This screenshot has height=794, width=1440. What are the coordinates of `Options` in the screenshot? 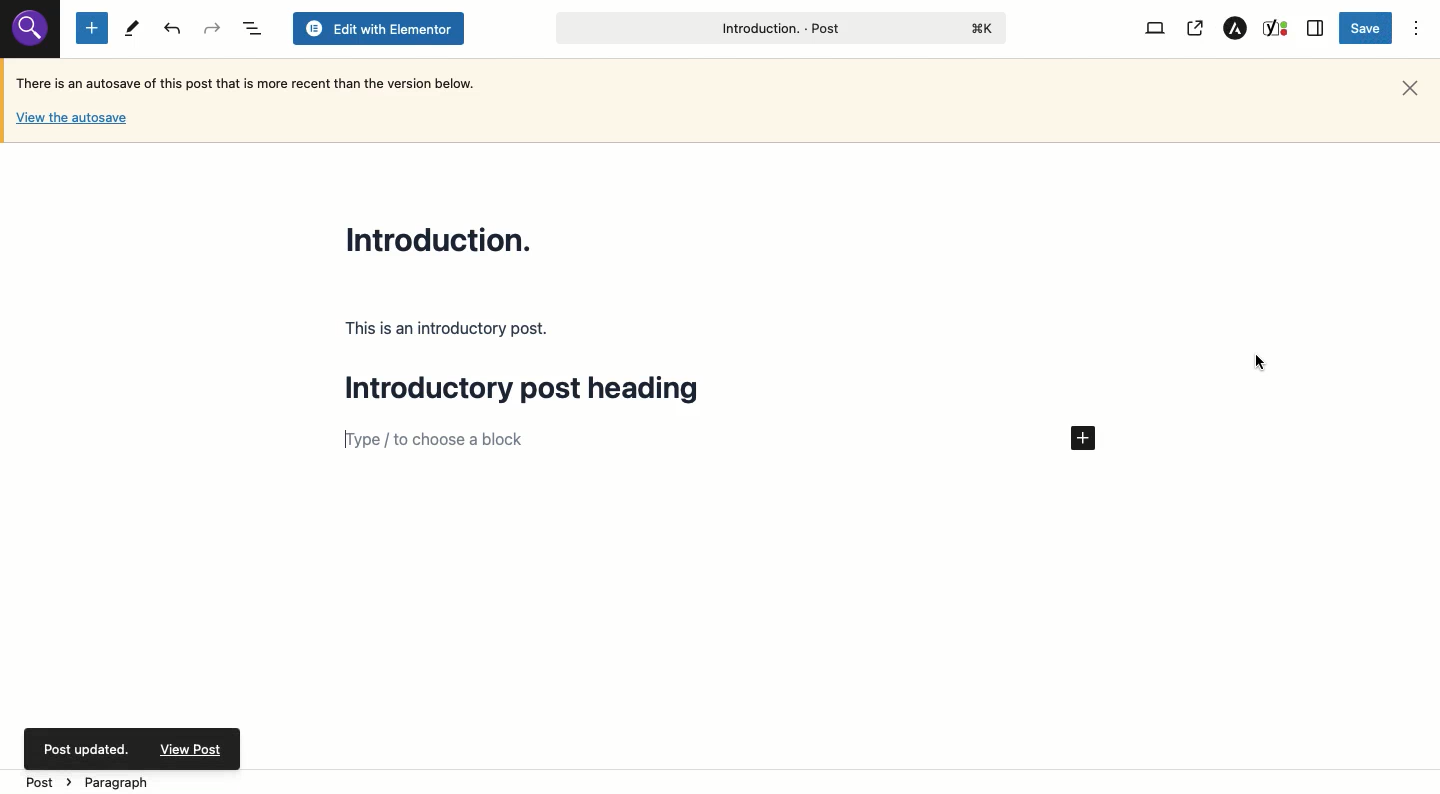 It's located at (1417, 29).